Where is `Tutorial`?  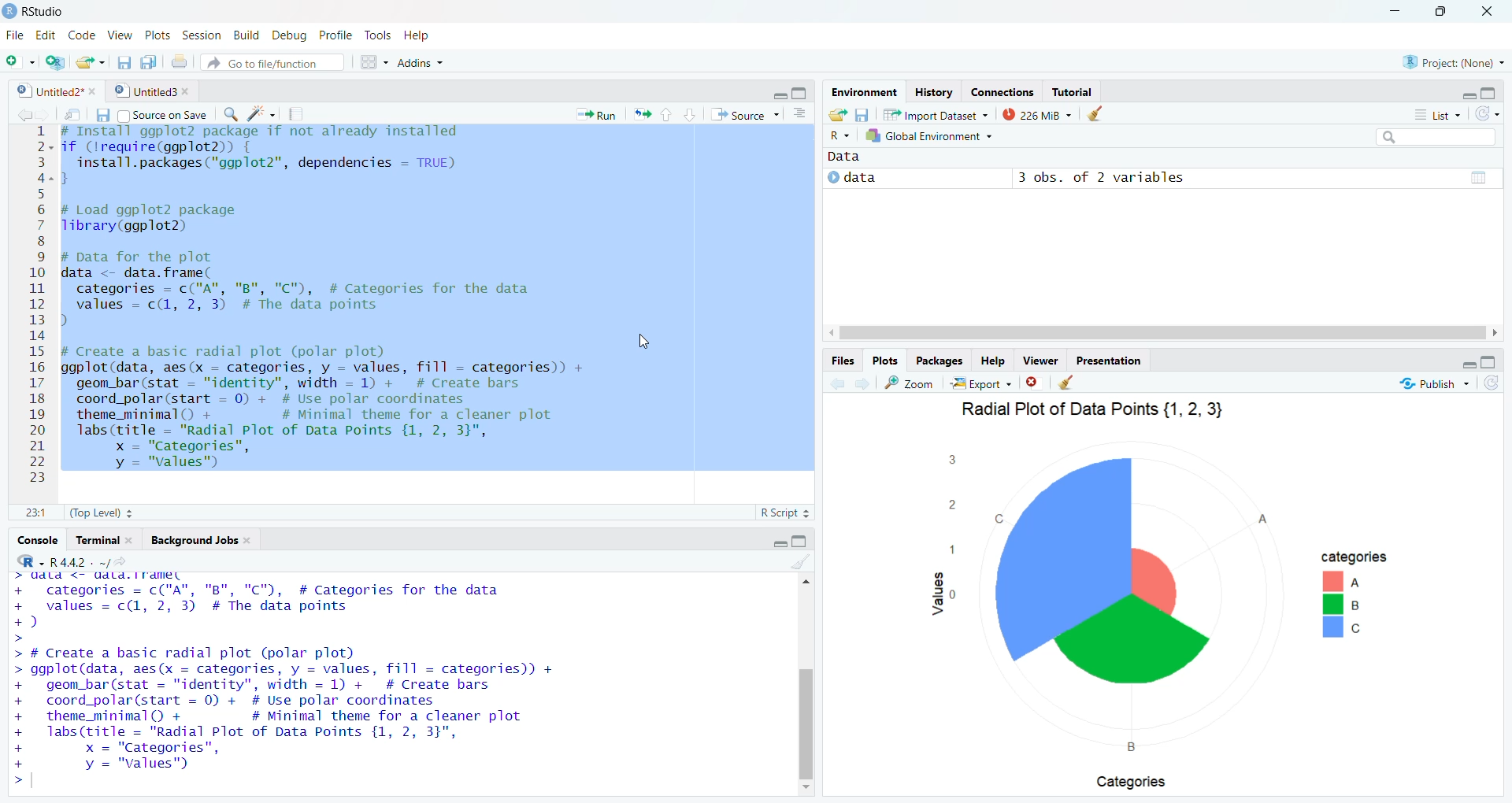
Tutorial is located at coordinates (1077, 92).